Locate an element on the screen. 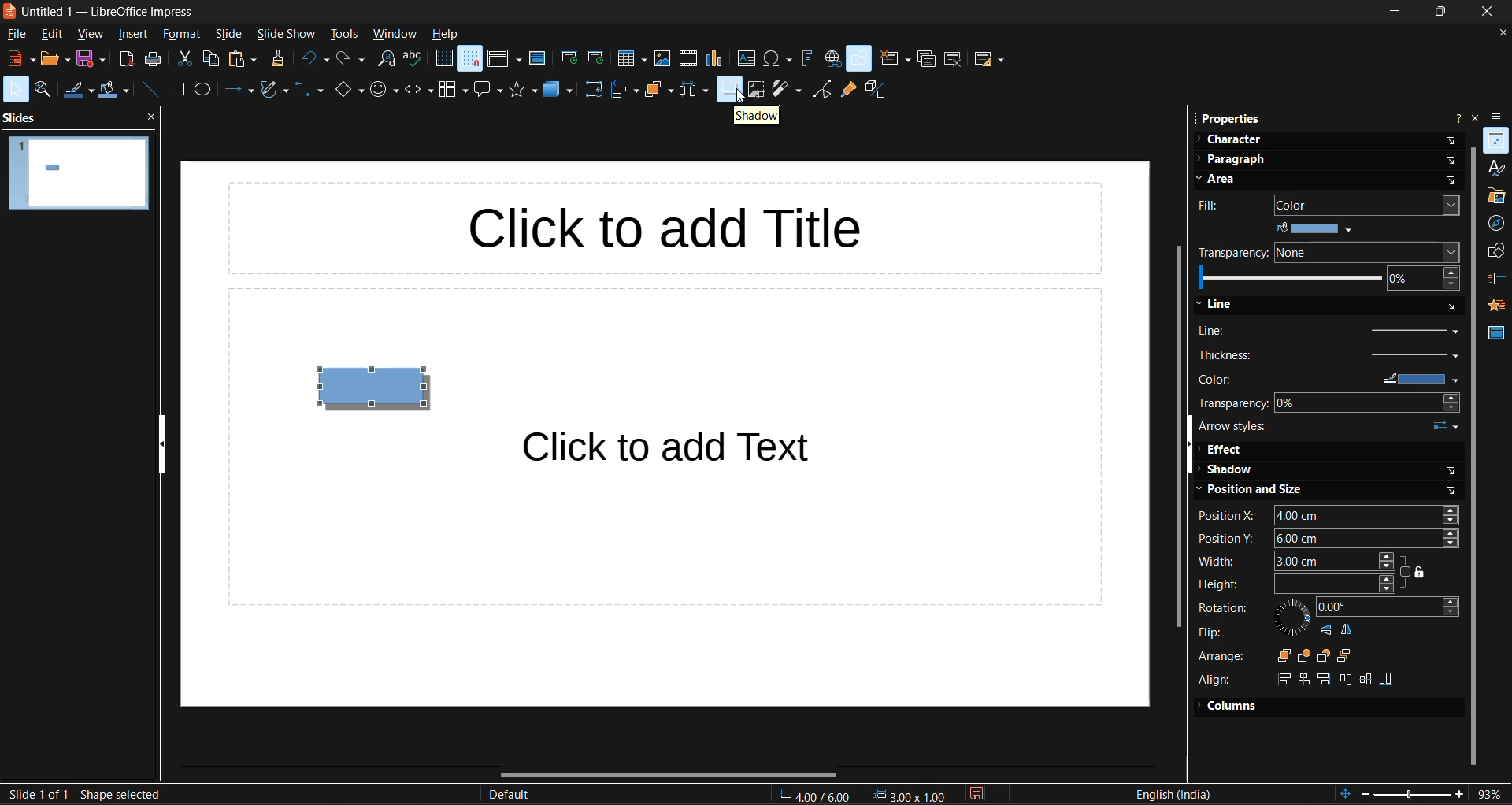  symbol shapes is located at coordinates (381, 90).